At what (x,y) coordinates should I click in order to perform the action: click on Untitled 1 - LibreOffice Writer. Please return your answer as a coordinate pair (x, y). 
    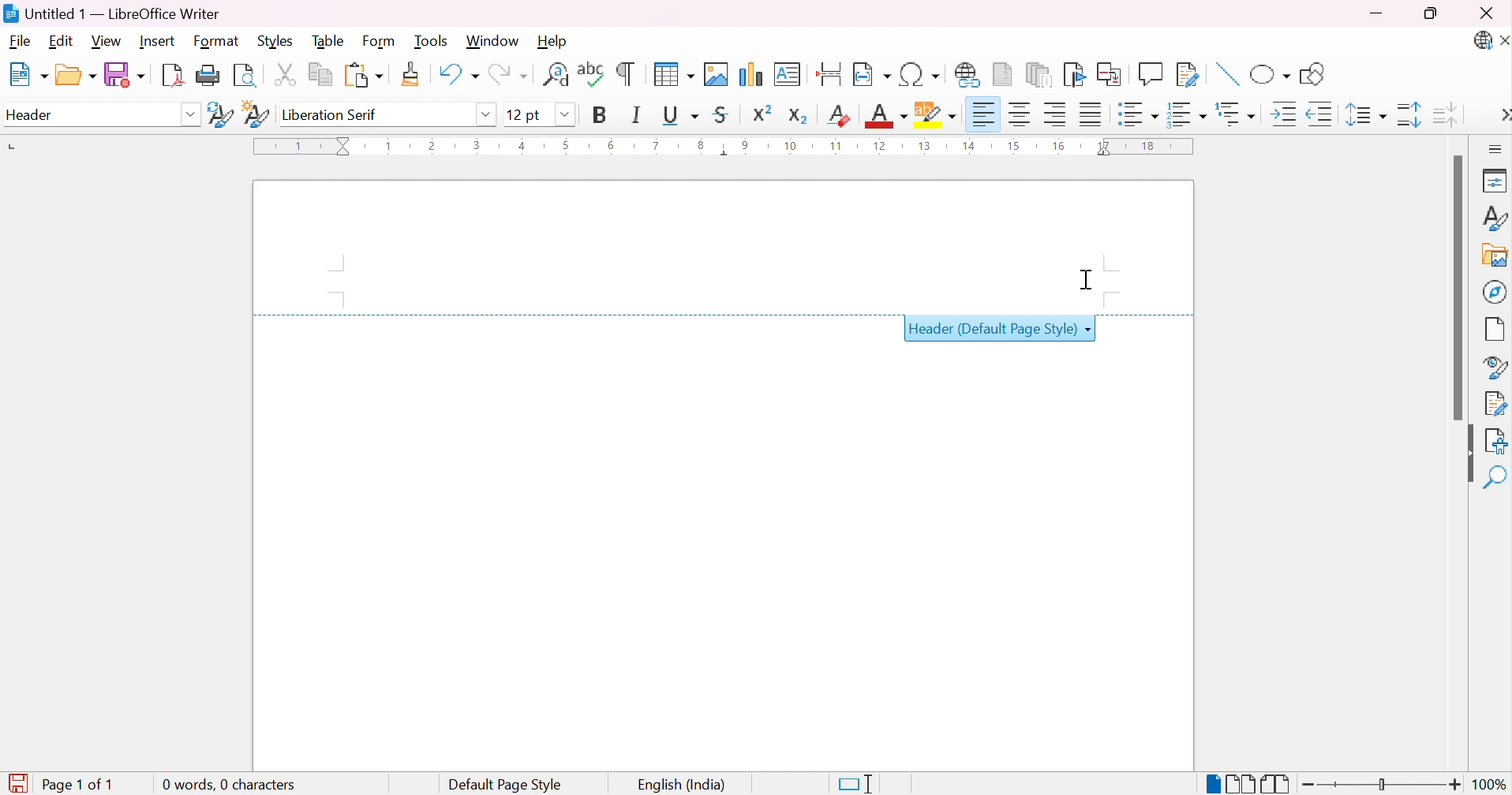
    Looking at the image, I should click on (111, 13).